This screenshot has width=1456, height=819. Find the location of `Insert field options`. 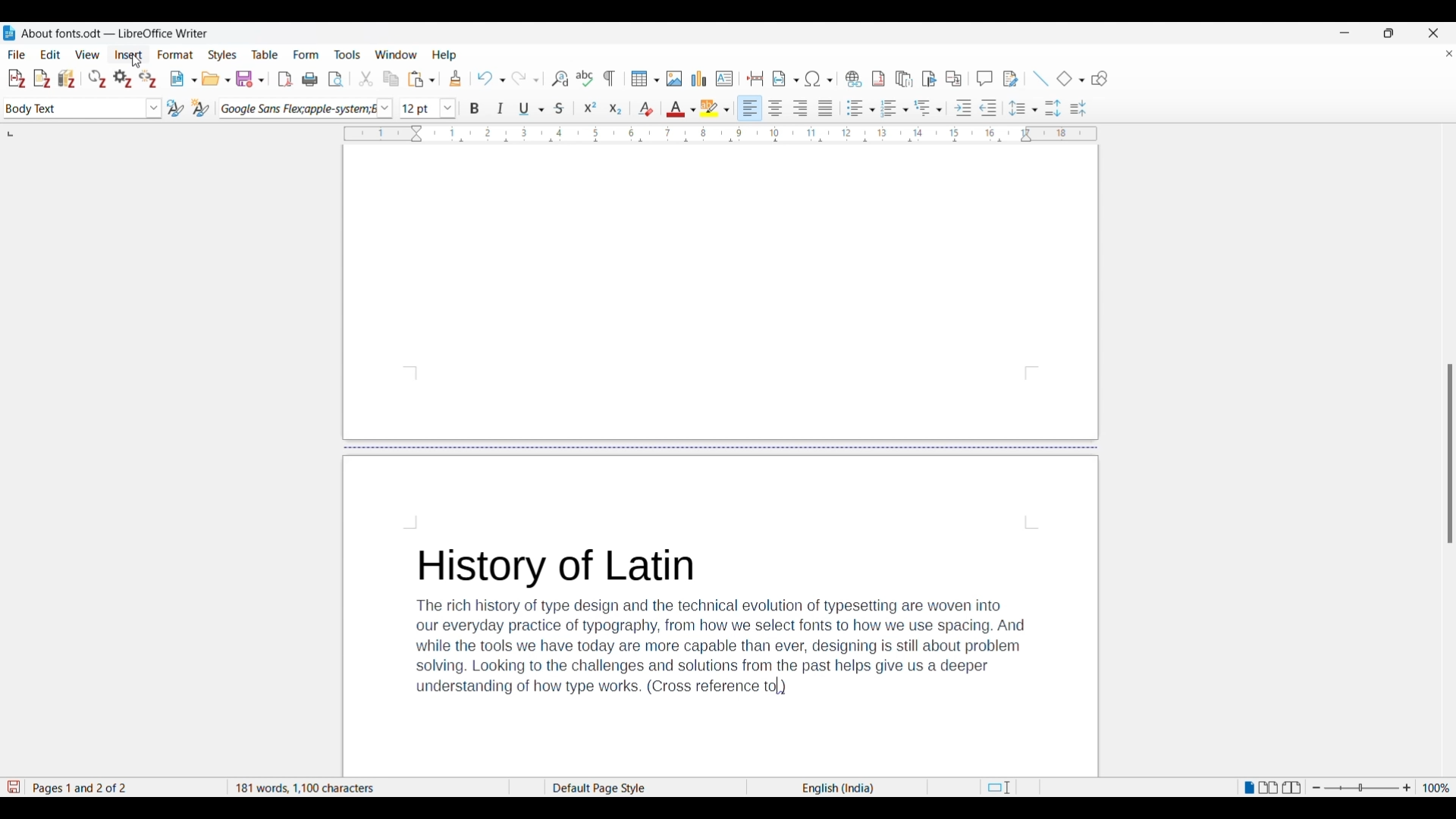

Insert field options is located at coordinates (786, 78).